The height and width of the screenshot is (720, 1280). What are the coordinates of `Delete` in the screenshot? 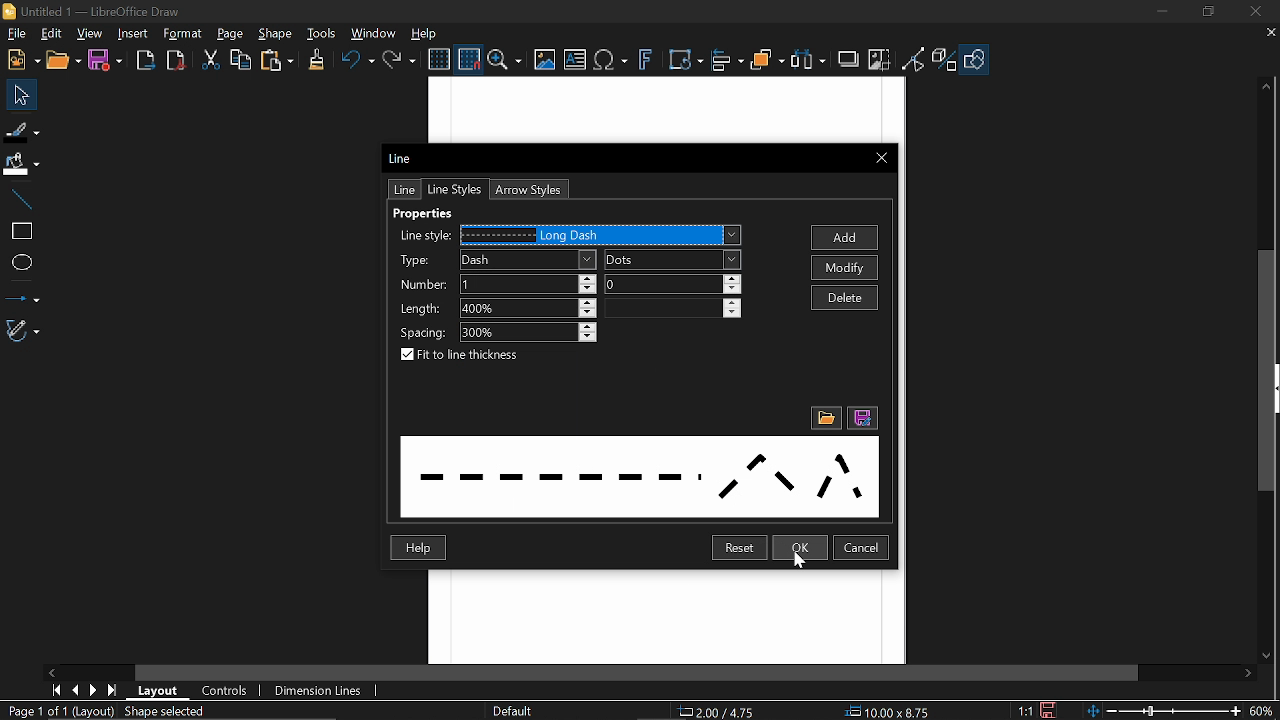 It's located at (844, 297).